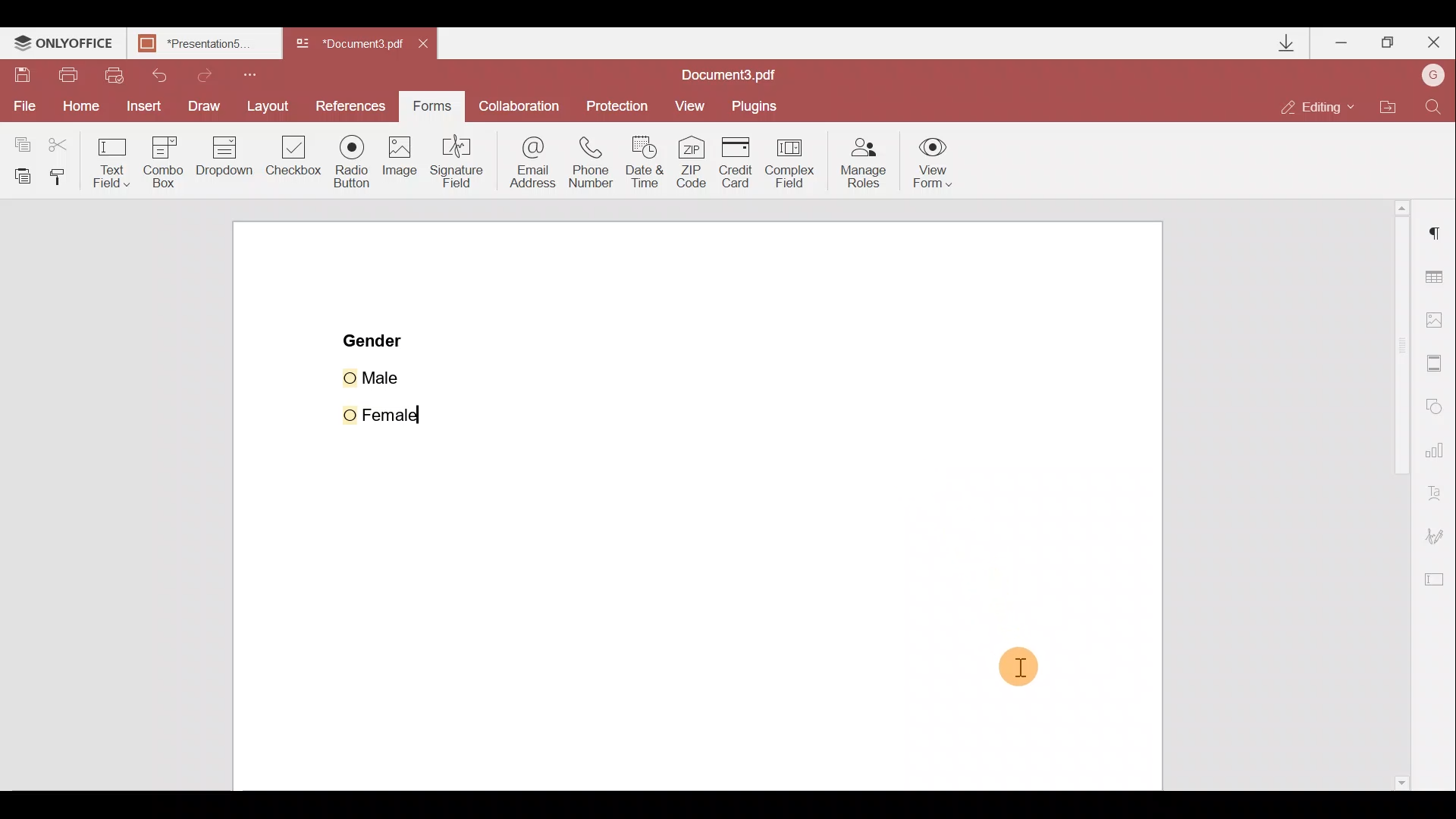 Image resolution: width=1456 pixels, height=819 pixels. I want to click on Shapes settings, so click(1438, 408).